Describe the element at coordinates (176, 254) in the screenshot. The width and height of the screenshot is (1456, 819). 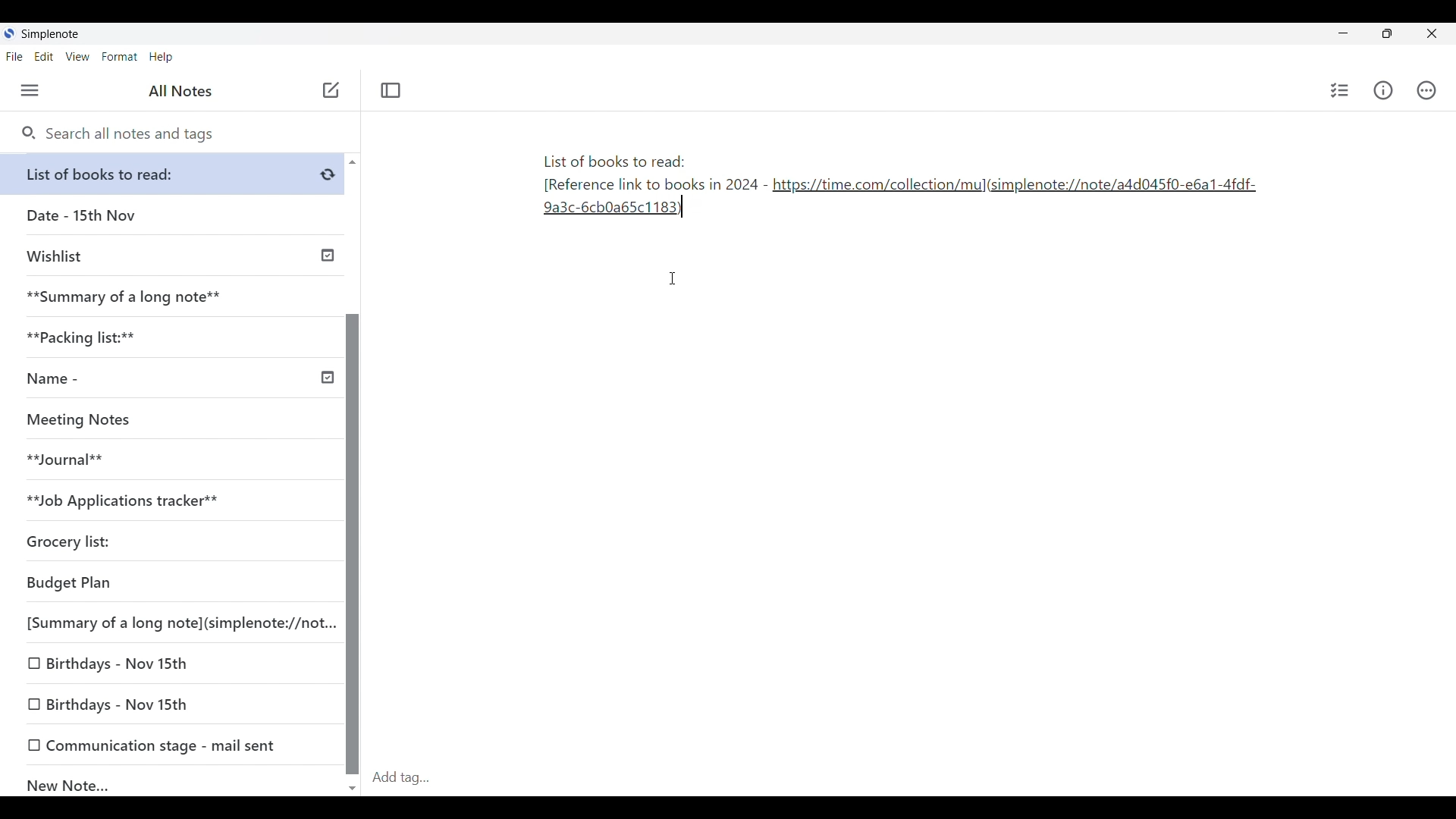
I see `Wishlist` at that location.